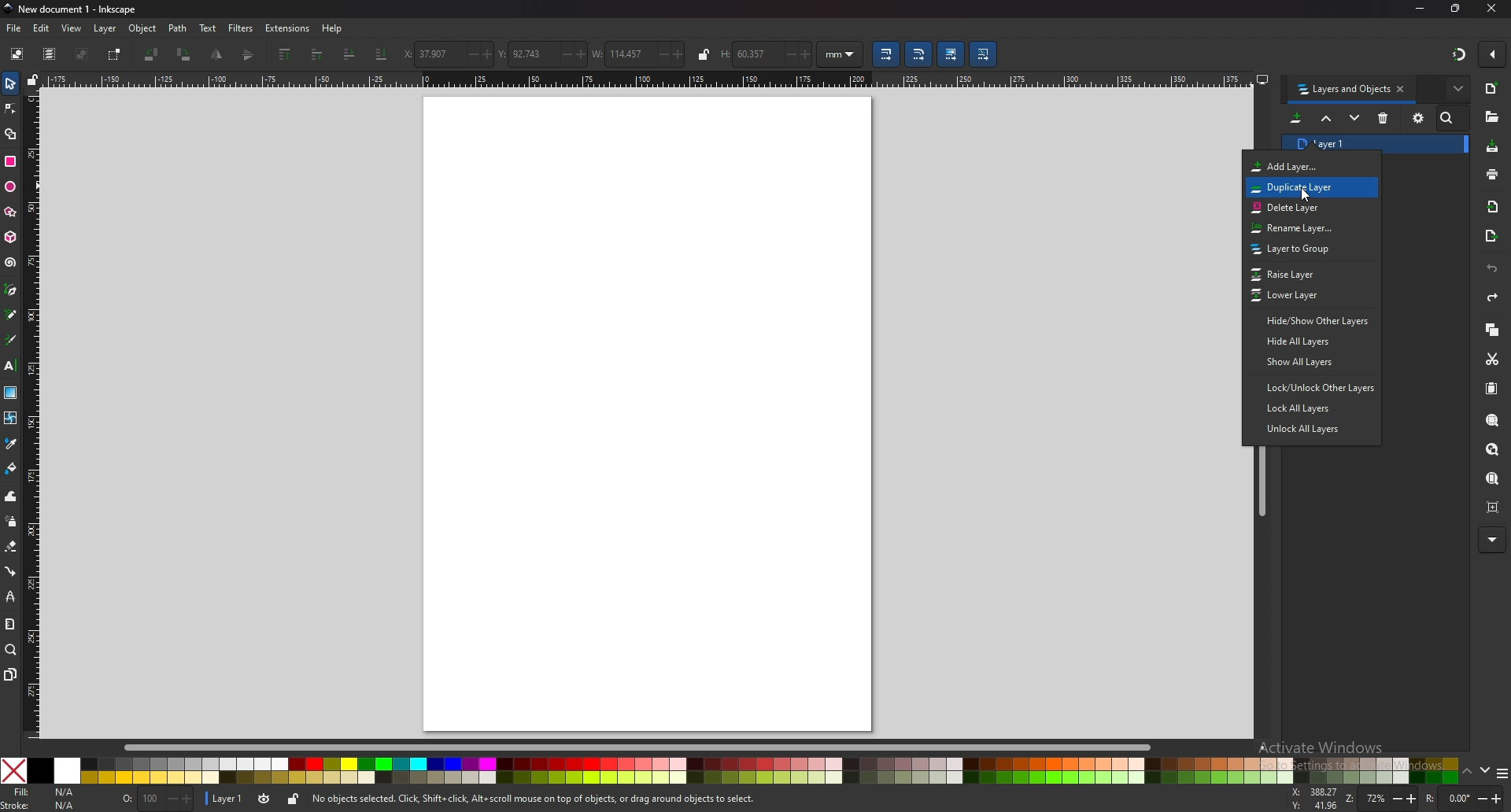 The height and width of the screenshot is (812, 1511). What do you see at coordinates (9, 135) in the screenshot?
I see `shape builder` at bounding box center [9, 135].